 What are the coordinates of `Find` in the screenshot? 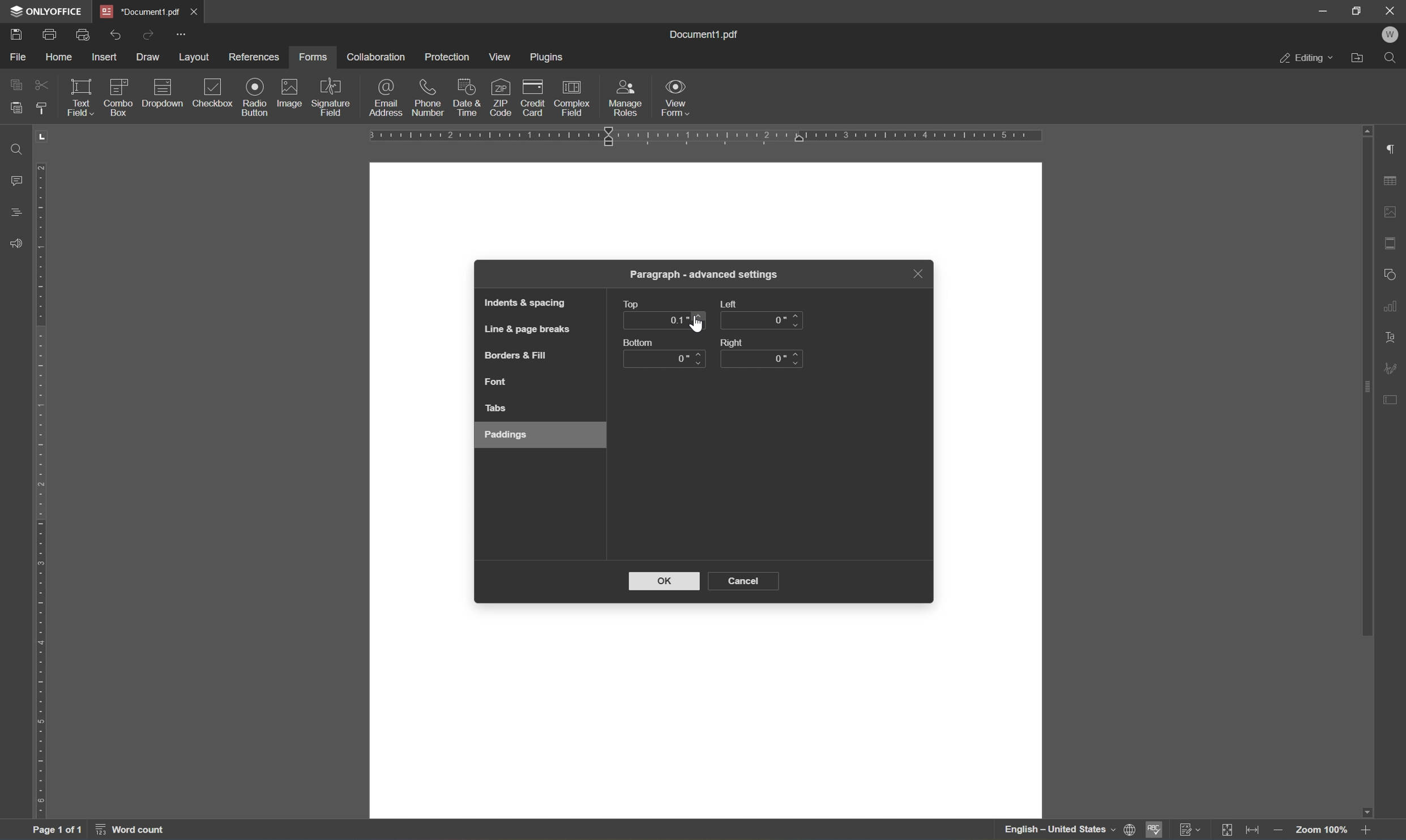 It's located at (1394, 61).